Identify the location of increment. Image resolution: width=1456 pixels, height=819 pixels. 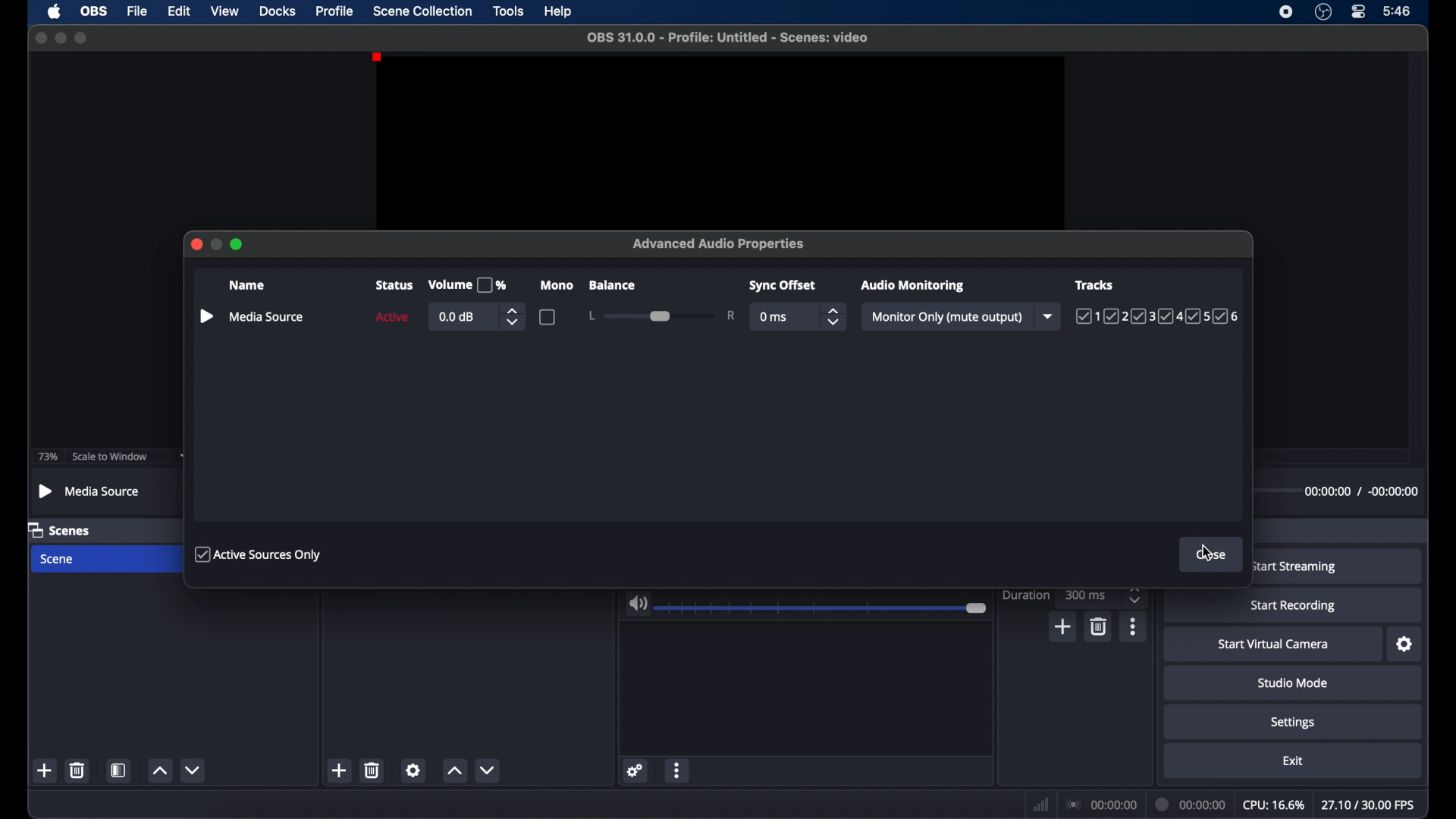
(159, 771).